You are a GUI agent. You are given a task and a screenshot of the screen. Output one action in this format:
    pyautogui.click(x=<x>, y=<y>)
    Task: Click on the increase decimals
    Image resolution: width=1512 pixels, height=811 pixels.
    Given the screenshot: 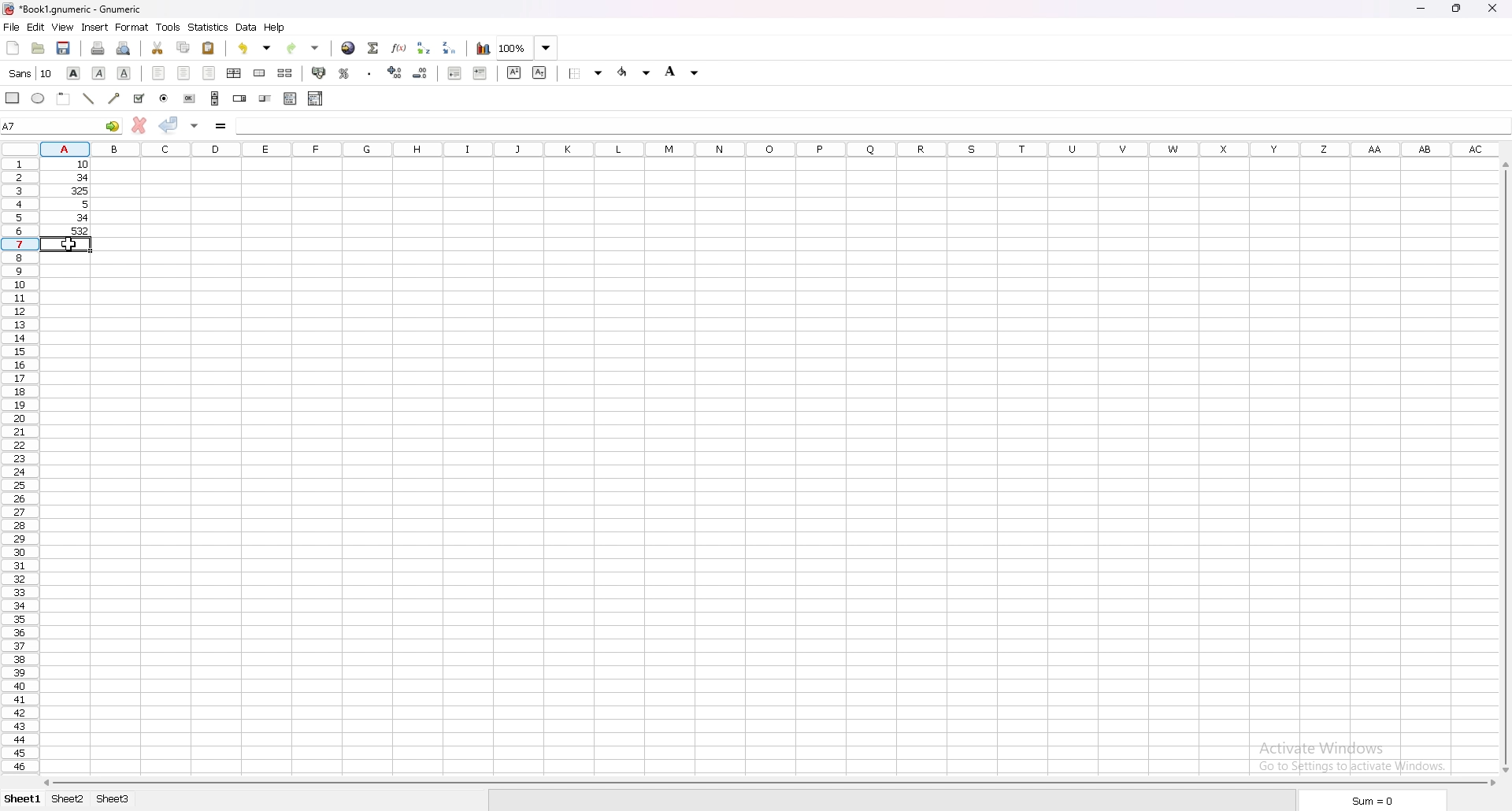 What is the action you would take?
    pyautogui.click(x=395, y=72)
    